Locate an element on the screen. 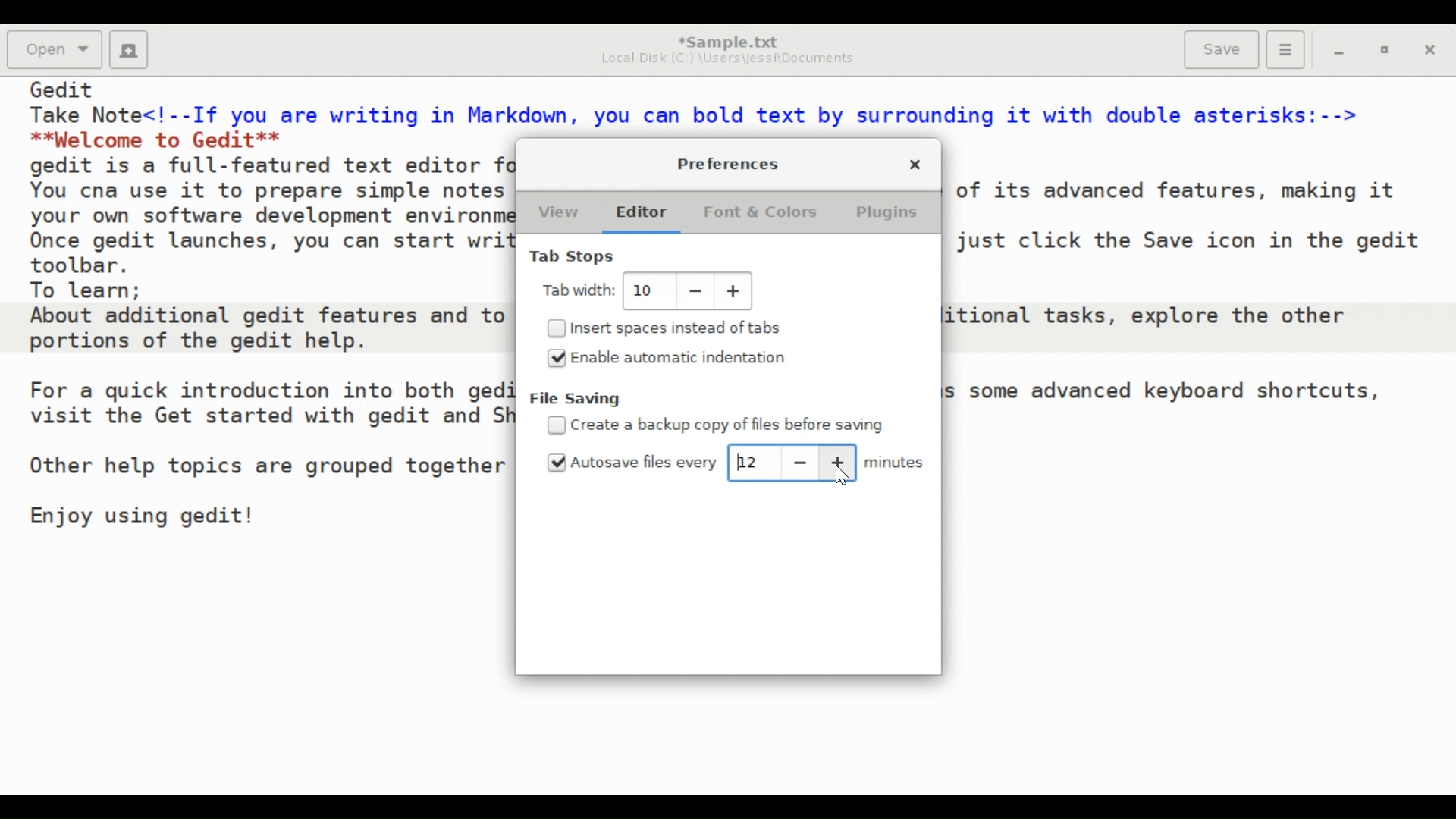  Save is located at coordinates (1222, 48).